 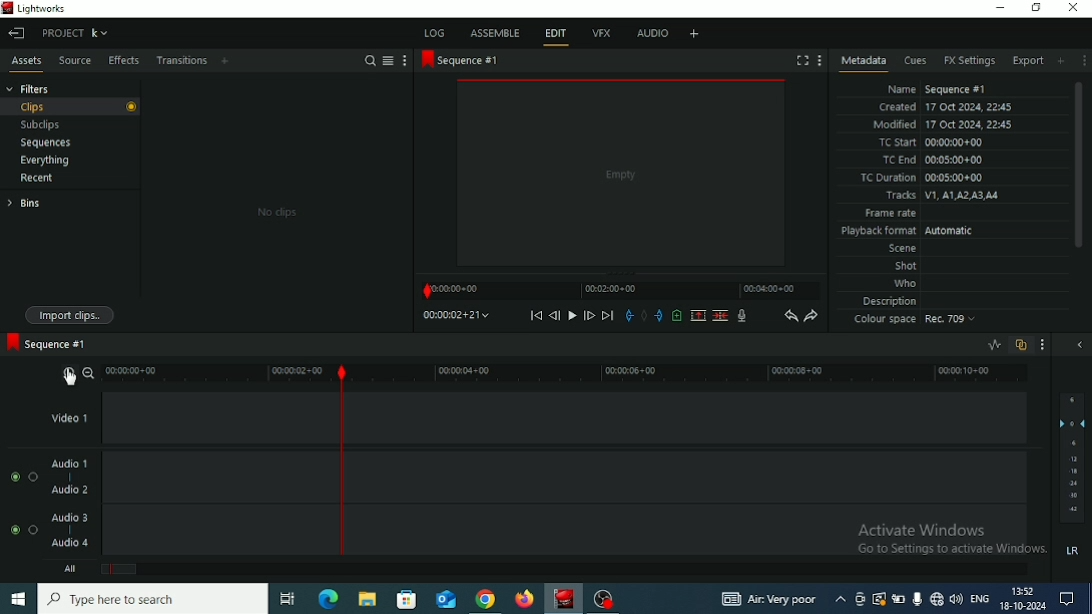 I want to click on Show/hide the full audio mix, so click(x=1079, y=344).